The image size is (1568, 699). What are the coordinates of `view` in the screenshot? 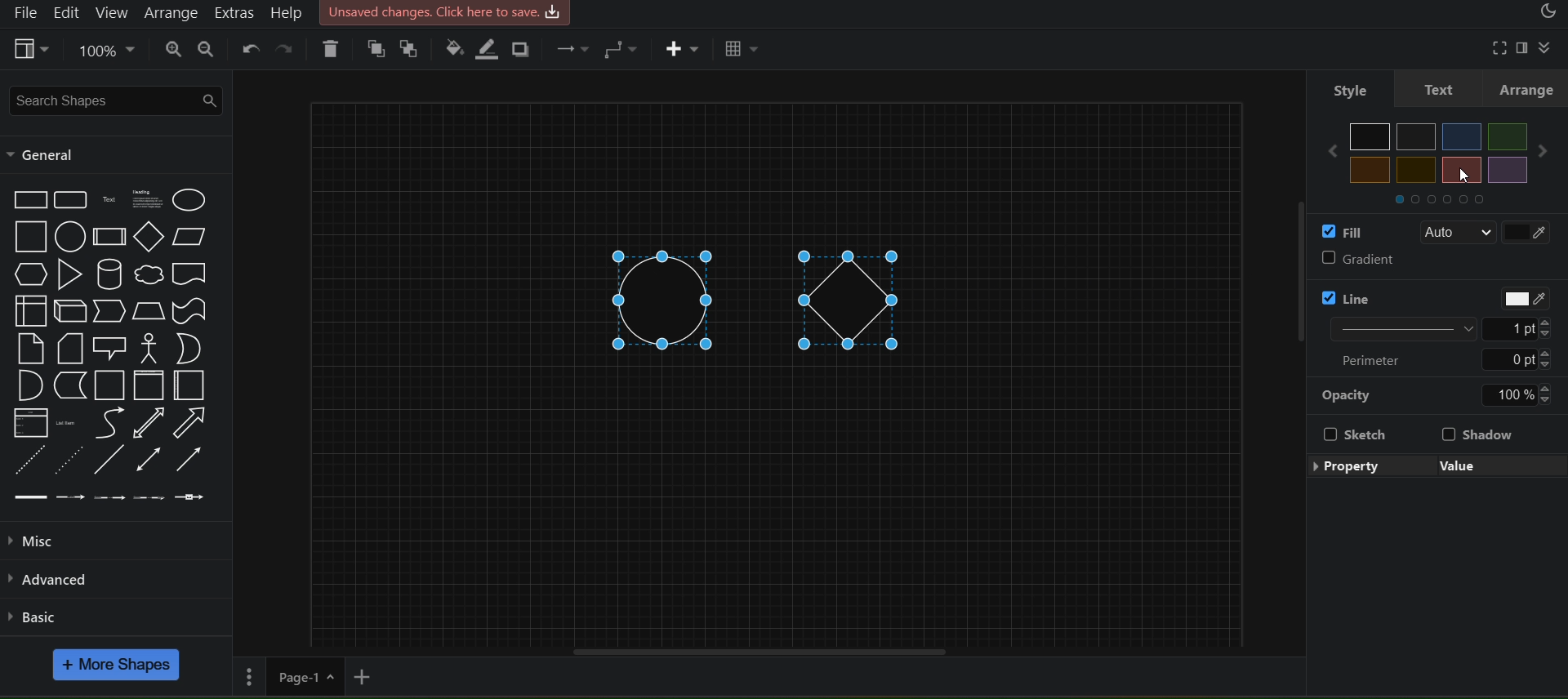 It's located at (31, 50).